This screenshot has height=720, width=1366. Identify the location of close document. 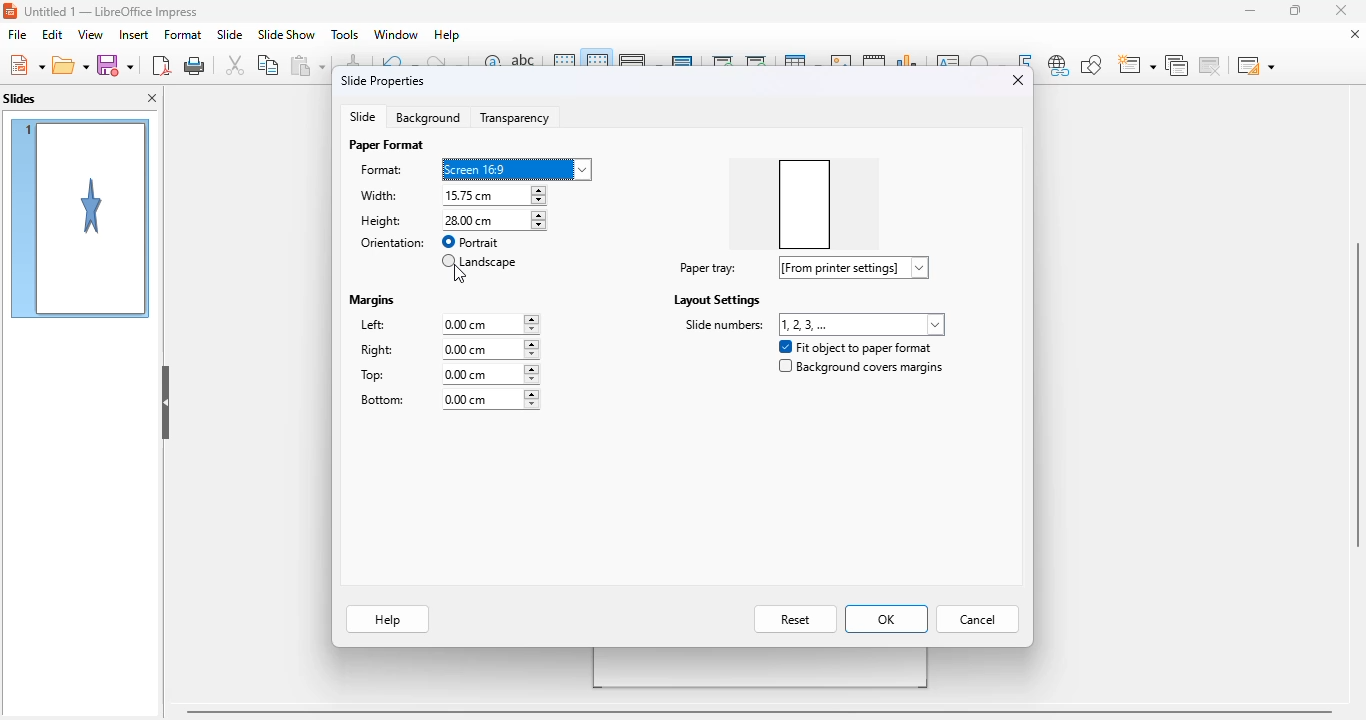
(1355, 34).